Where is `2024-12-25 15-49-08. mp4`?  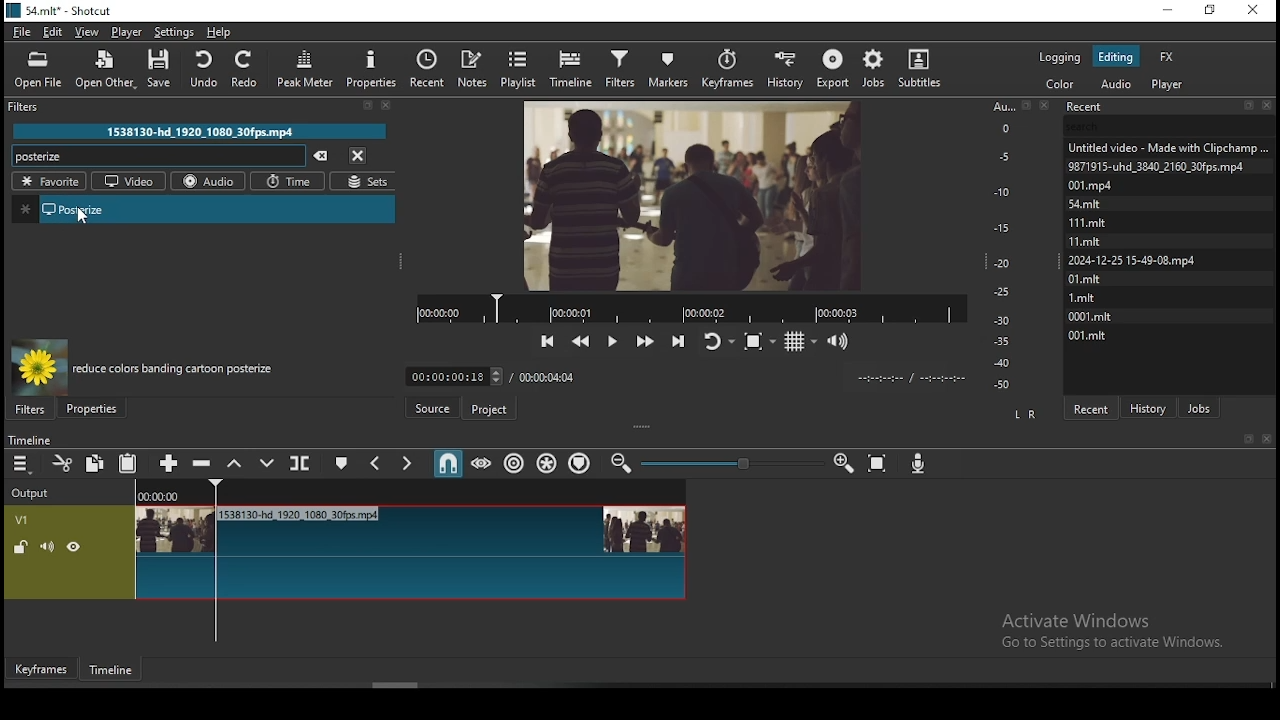 2024-12-25 15-49-08. mp4 is located at coordinates (1134, 259).